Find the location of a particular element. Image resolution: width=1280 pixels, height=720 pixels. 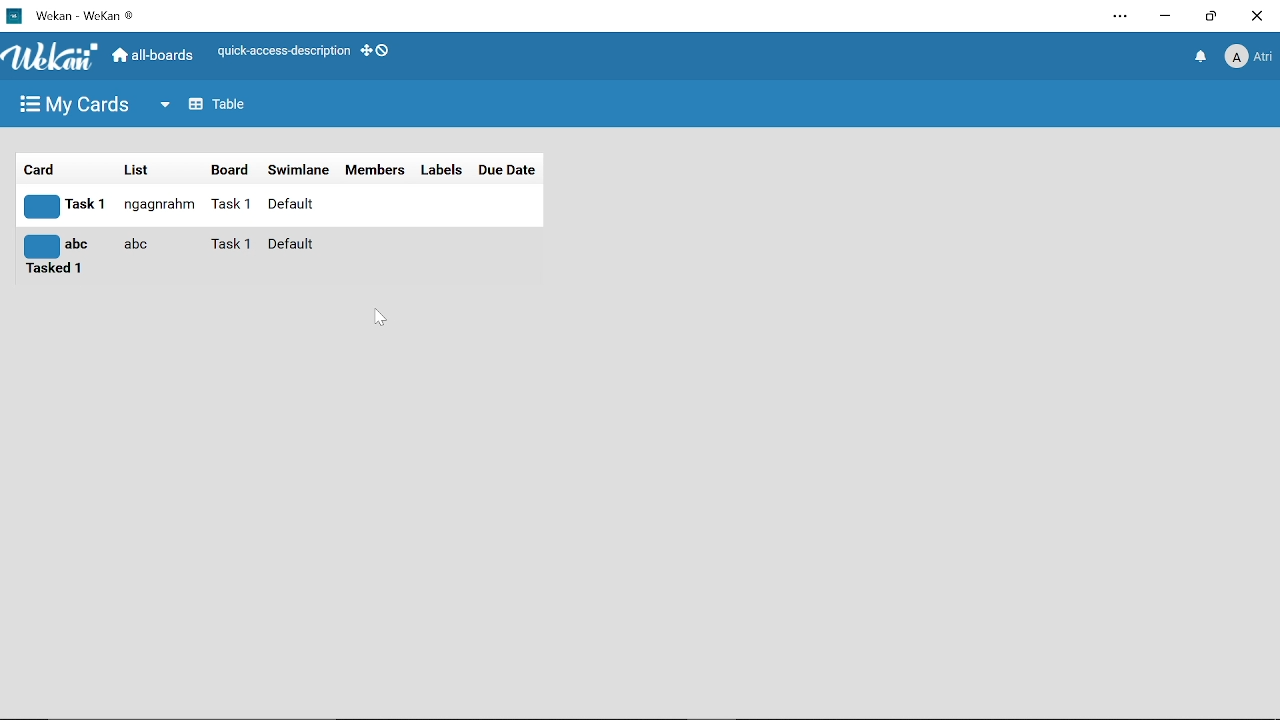

All boards is located at coordinates (152, 56).